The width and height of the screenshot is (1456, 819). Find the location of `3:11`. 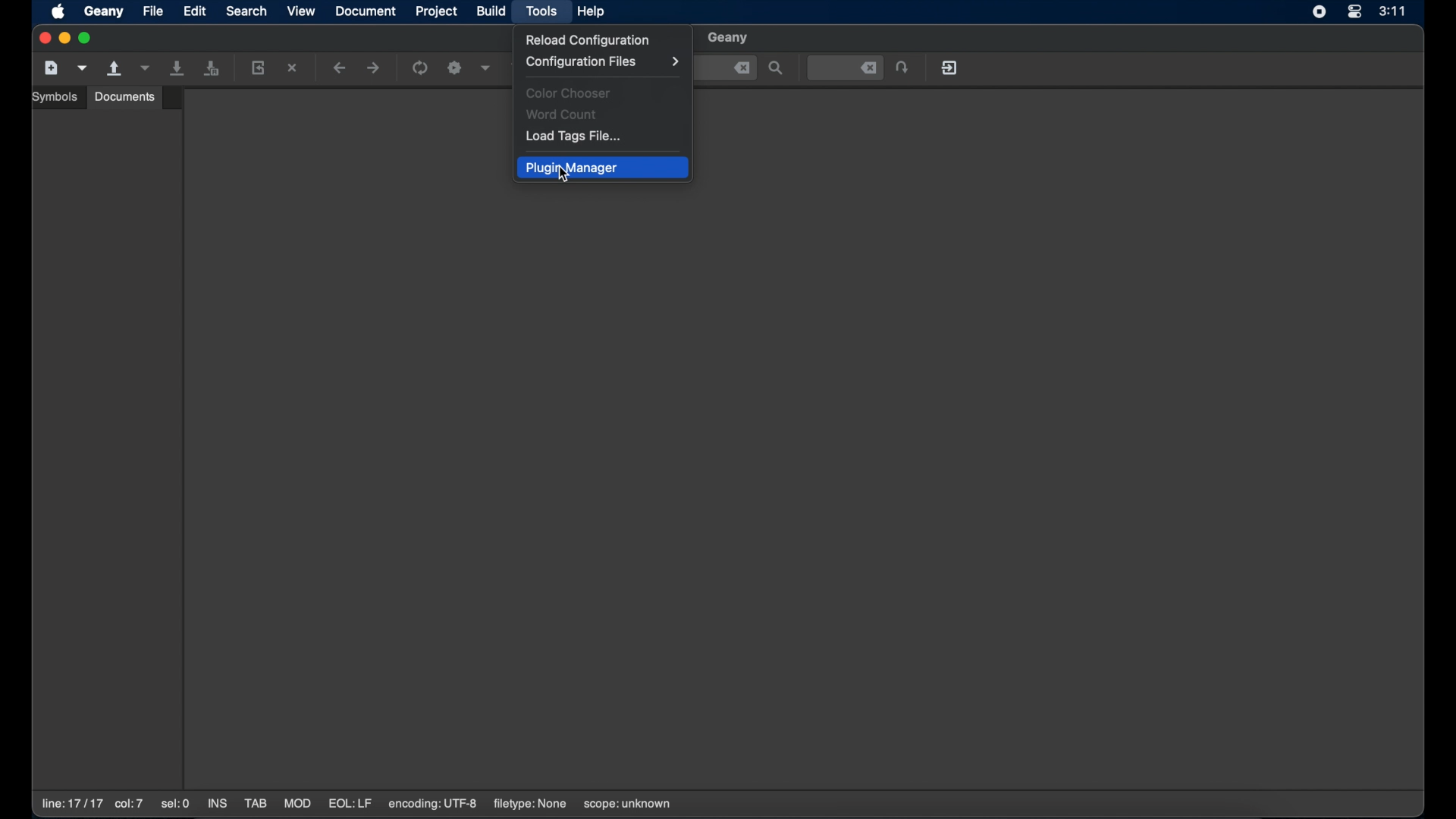

3:11 is located at coordinates (1393, 11).